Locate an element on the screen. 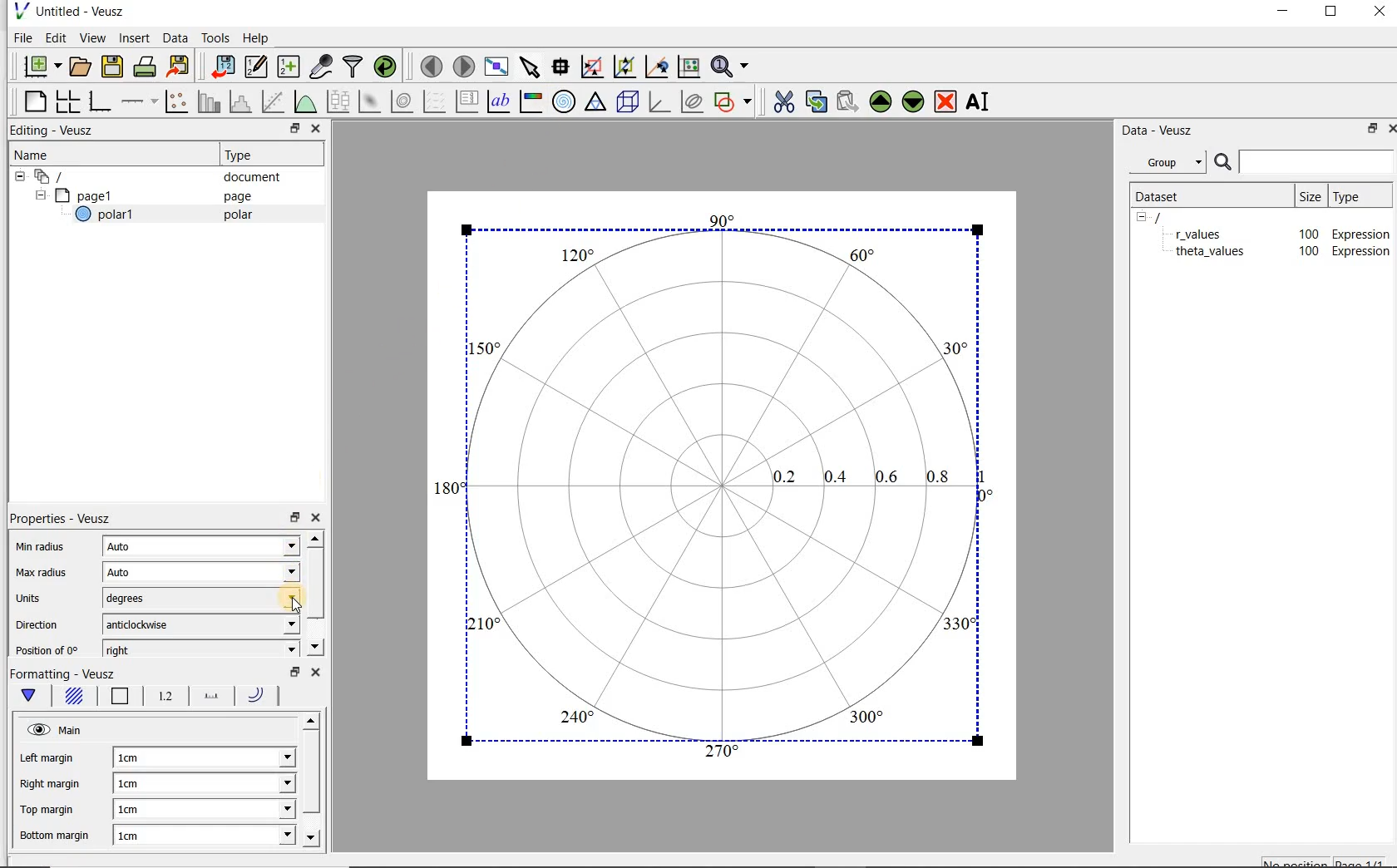  view plot full screen is located at coordinates (495, 65).